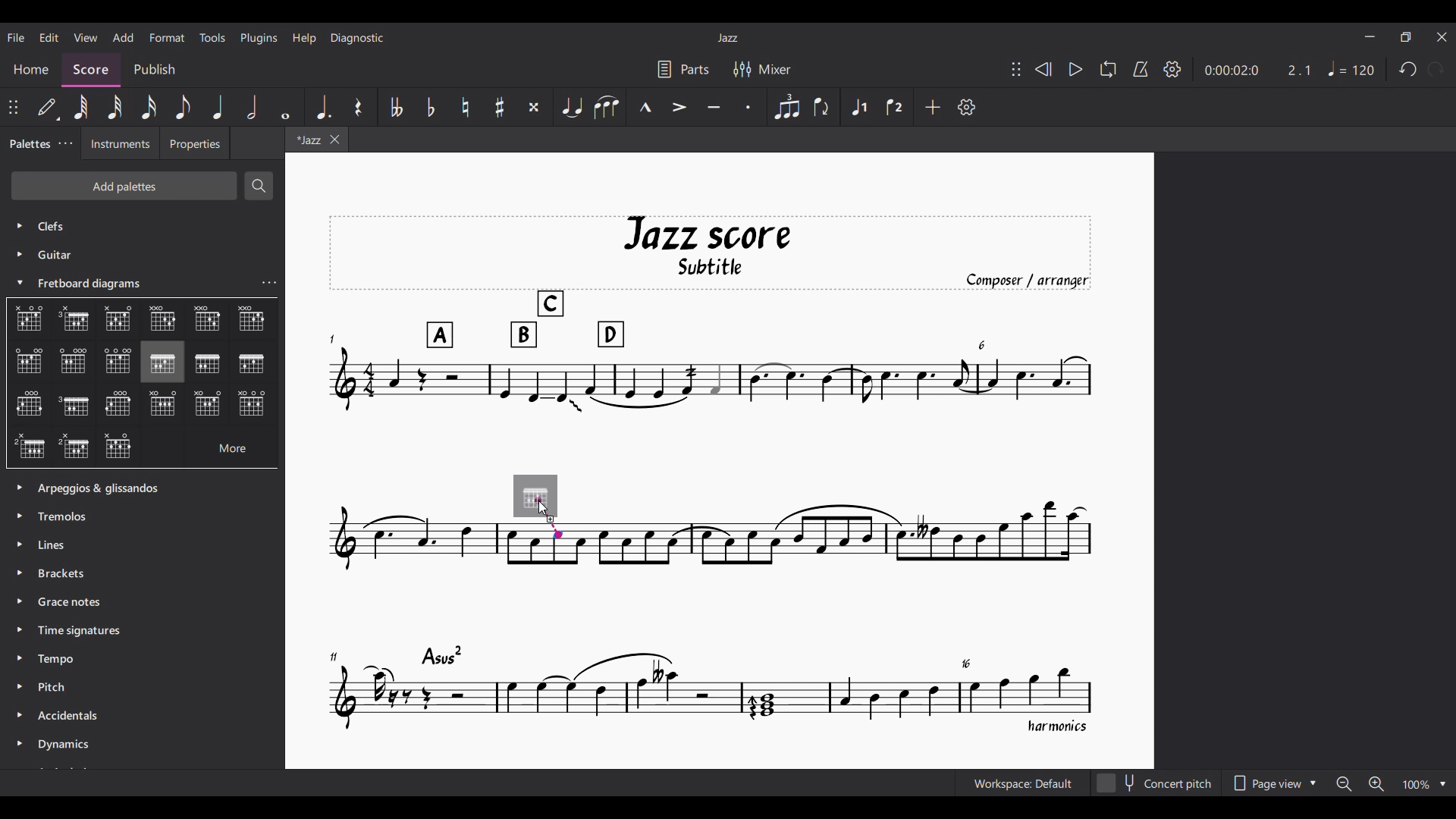  What do you see at coordinates (13, 107) in the screenshot?
I see `Change position` at bounding box center [13, 107].